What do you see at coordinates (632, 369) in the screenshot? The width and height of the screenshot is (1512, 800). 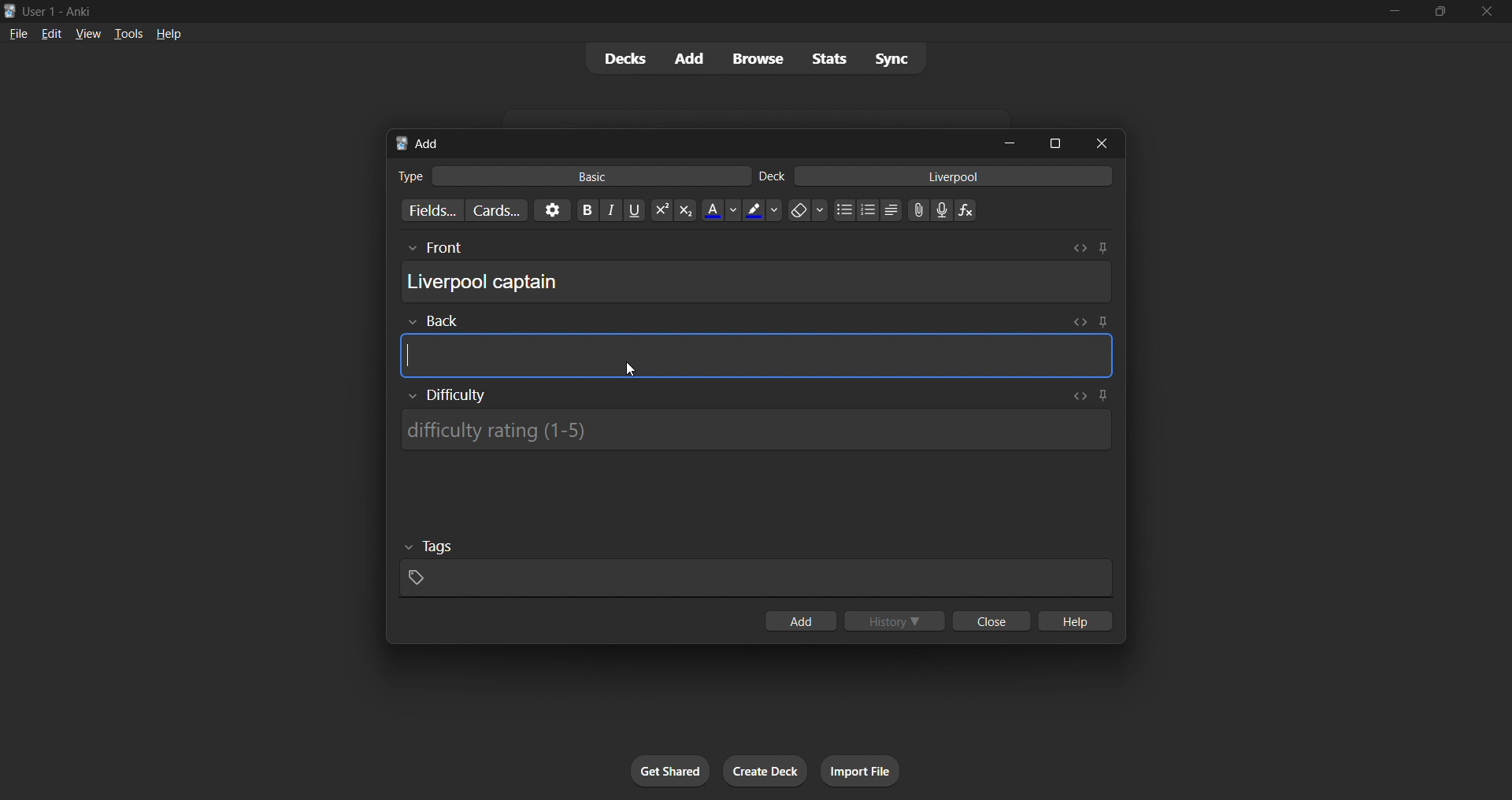 I see `Cursor` at bounding box center [632, 369].